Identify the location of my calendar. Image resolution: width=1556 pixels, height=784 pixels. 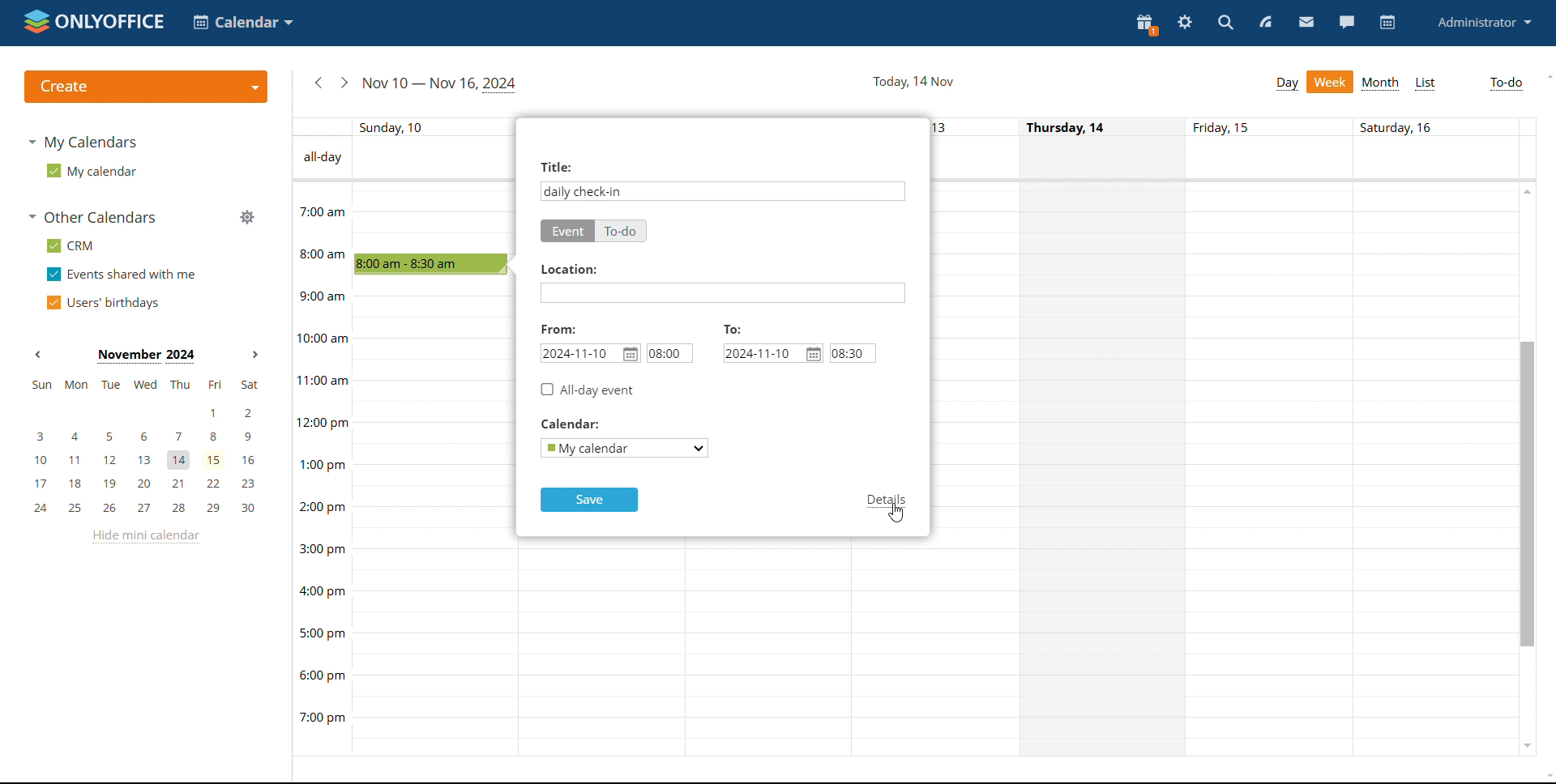
(89, 171).